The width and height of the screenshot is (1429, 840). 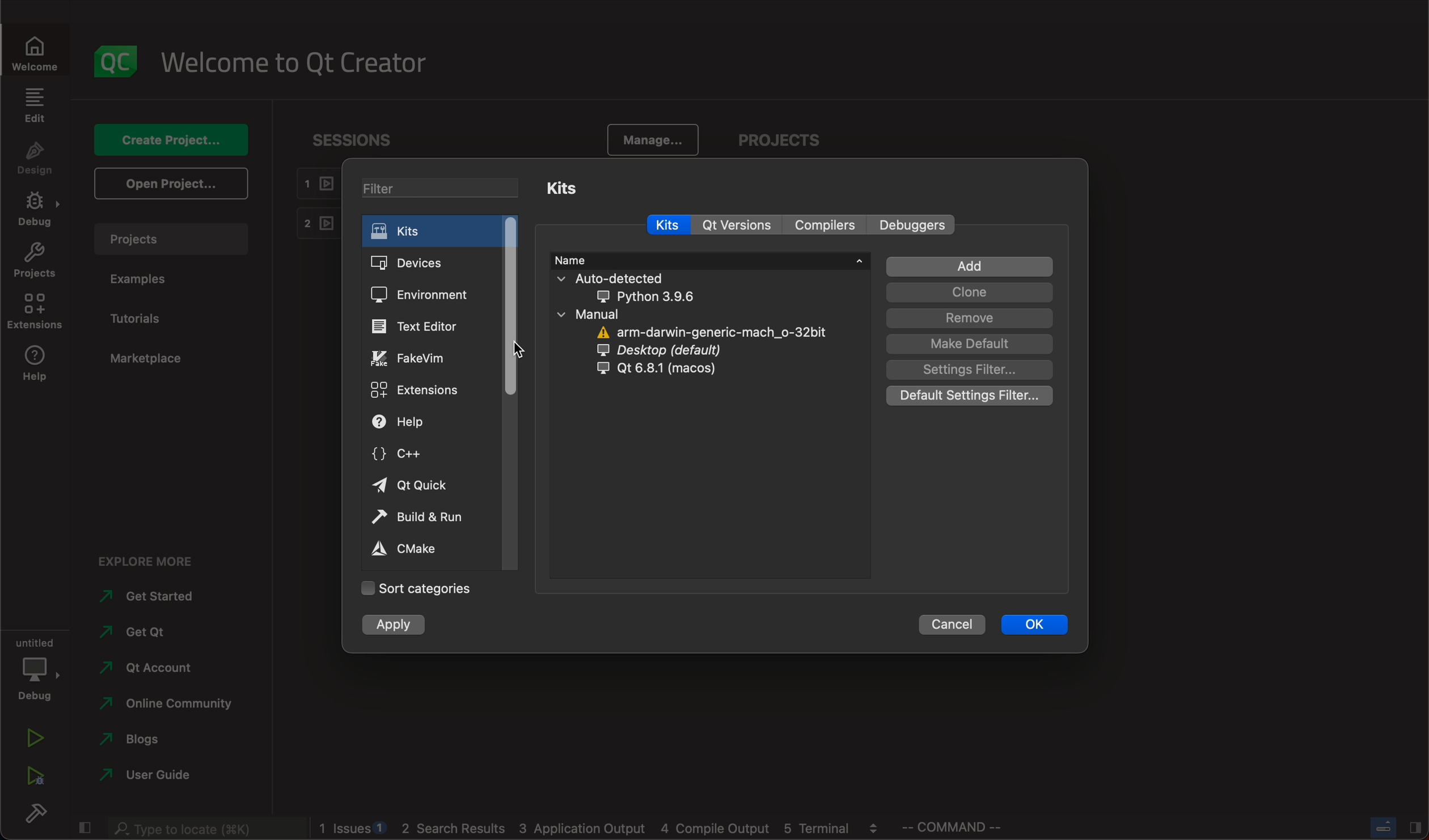 What do you see at coordinates (599, 828) in the screenshot?
I see `logs` at bounding box center [599, 828].